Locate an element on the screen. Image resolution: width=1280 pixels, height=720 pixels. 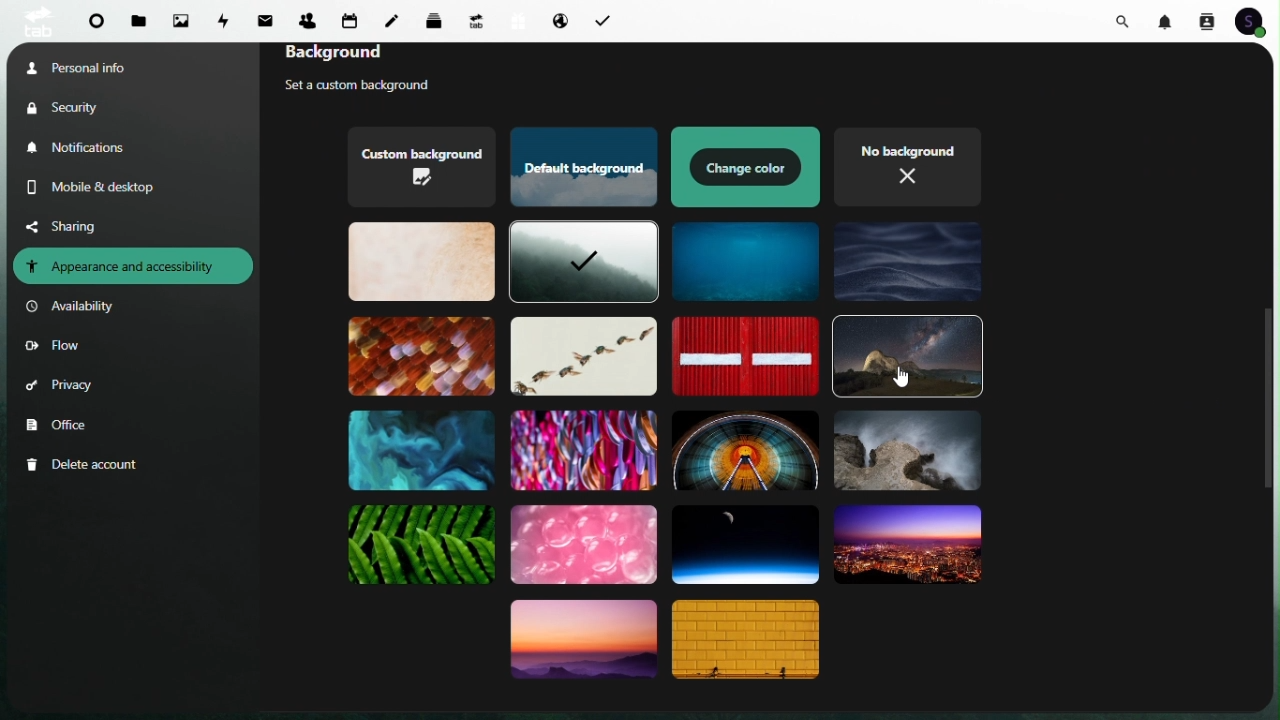
Account icon is located at coordinates (1256, 21).